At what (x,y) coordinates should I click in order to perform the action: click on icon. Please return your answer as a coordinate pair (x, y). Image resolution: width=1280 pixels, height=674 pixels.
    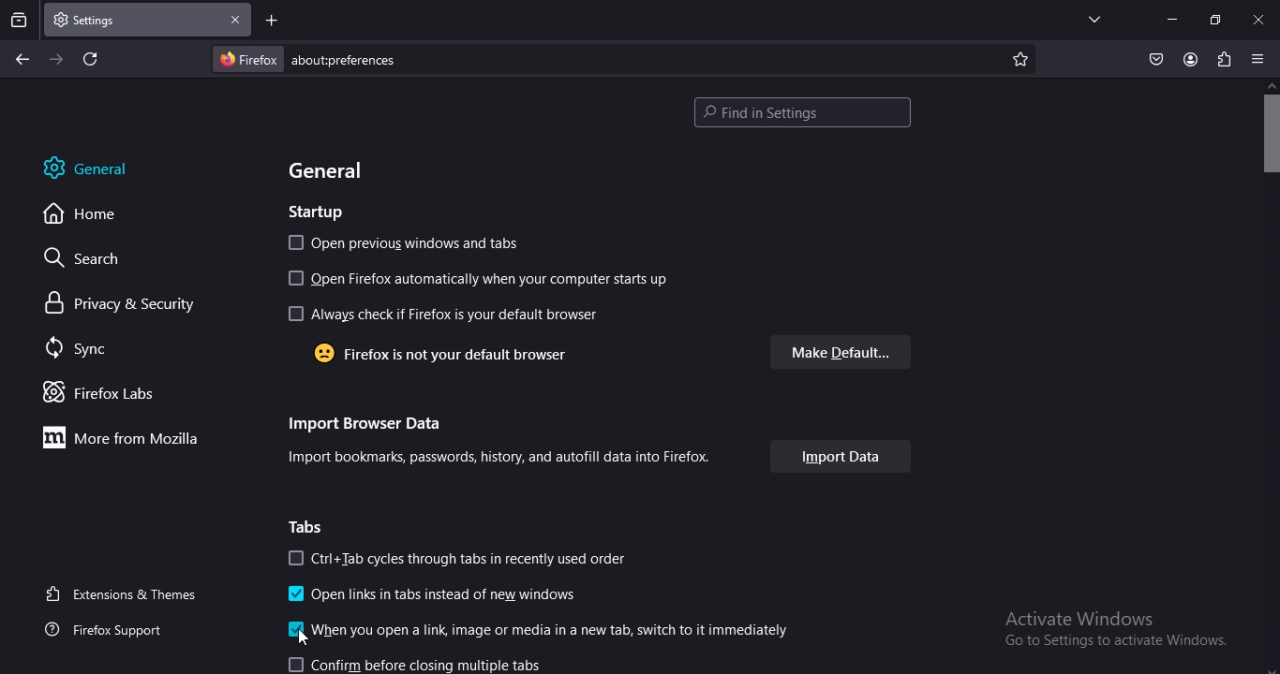
    Looking at the image, I should click on (296, 630).